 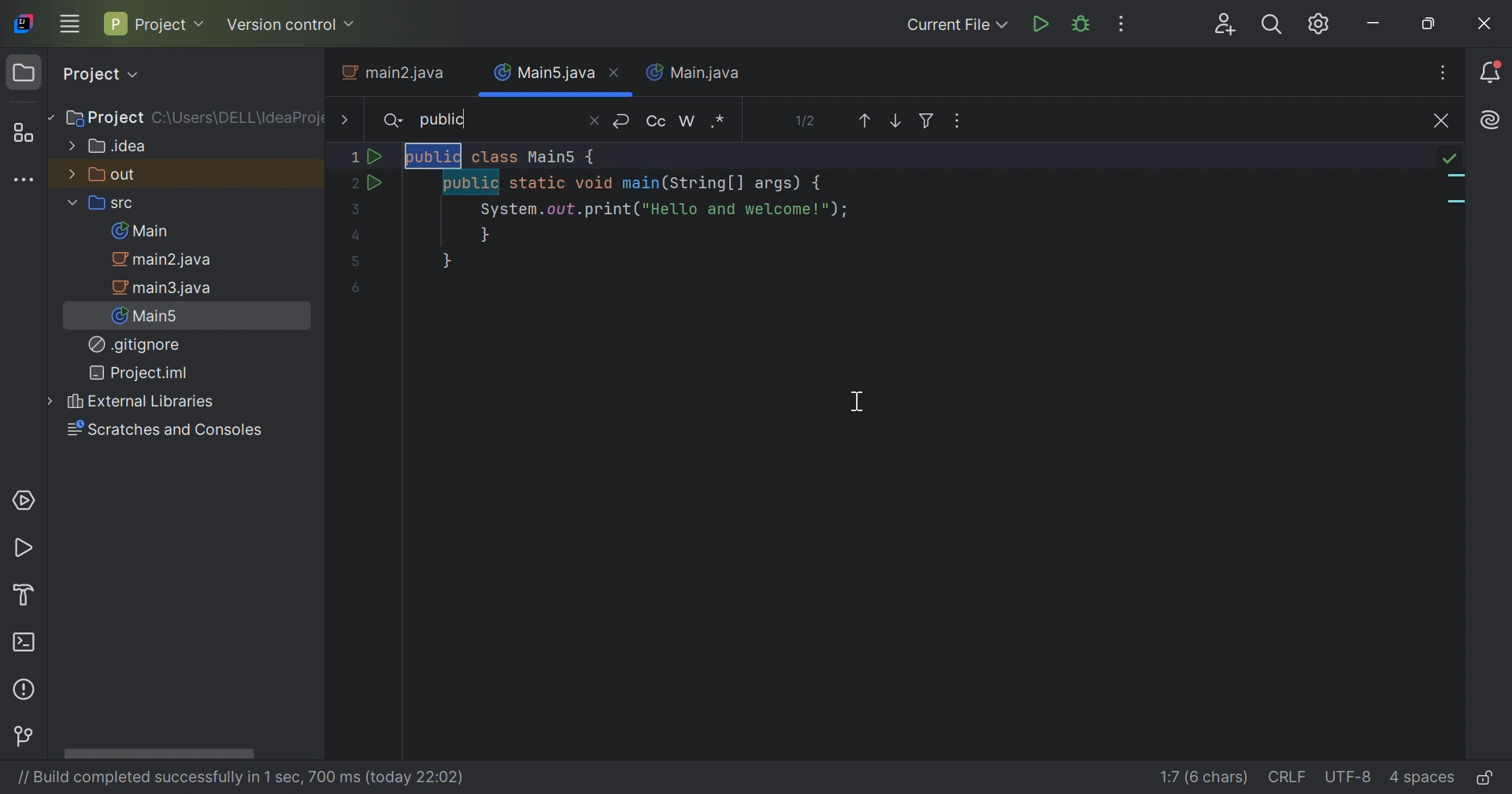 What do you see at coordinates (1376, 26) in the screenshot?
I see `Minimize` at bounding box center [1376, 26].